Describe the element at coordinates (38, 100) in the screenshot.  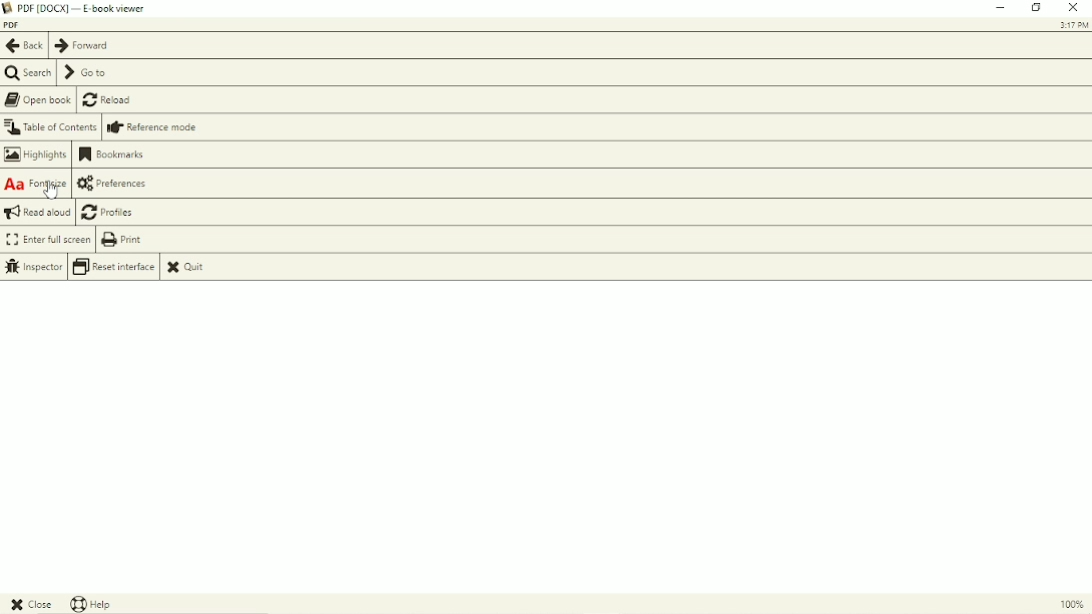
I see `Open book` at that location.